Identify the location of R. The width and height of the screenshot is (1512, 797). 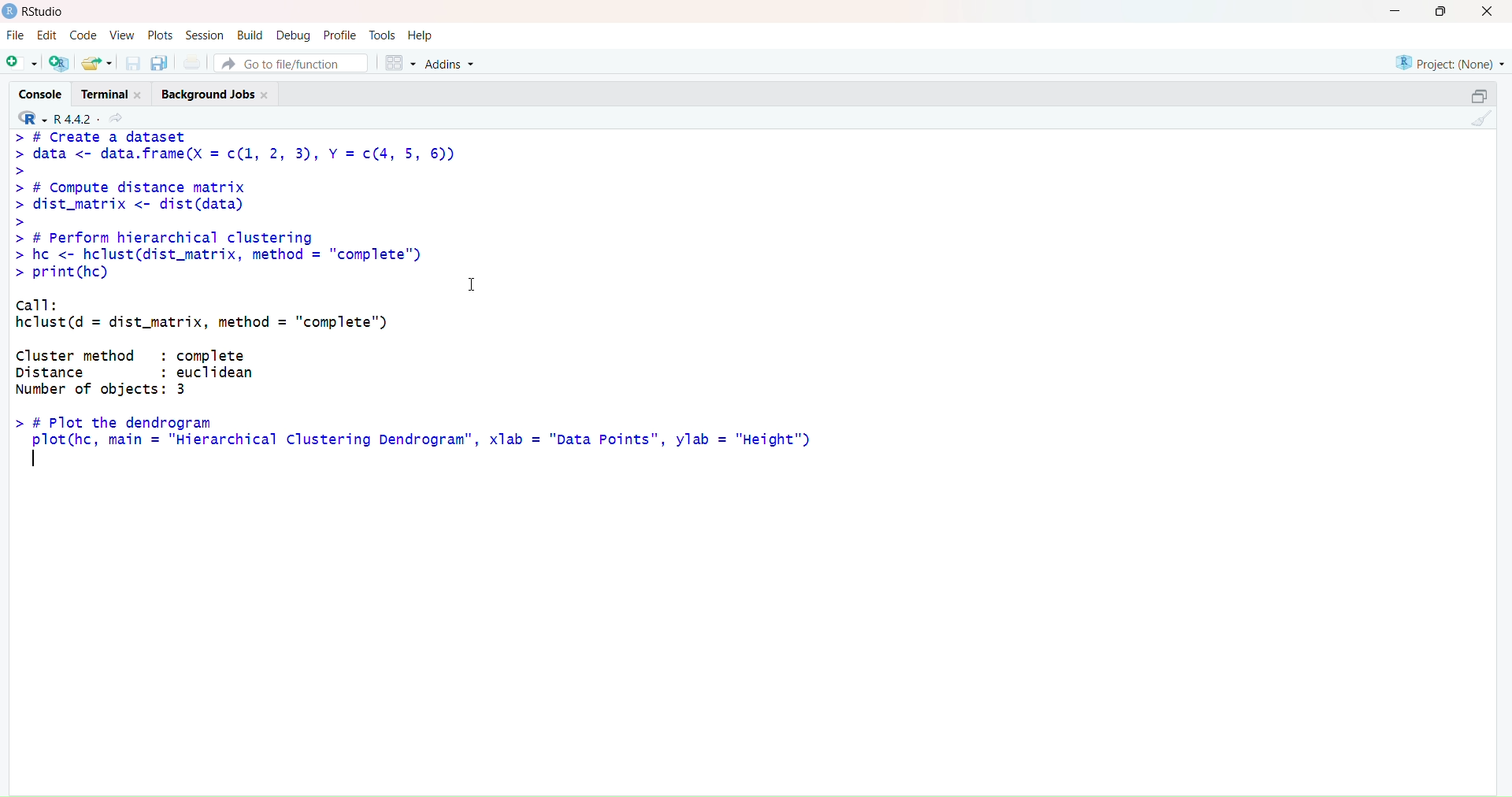
(28, 119).